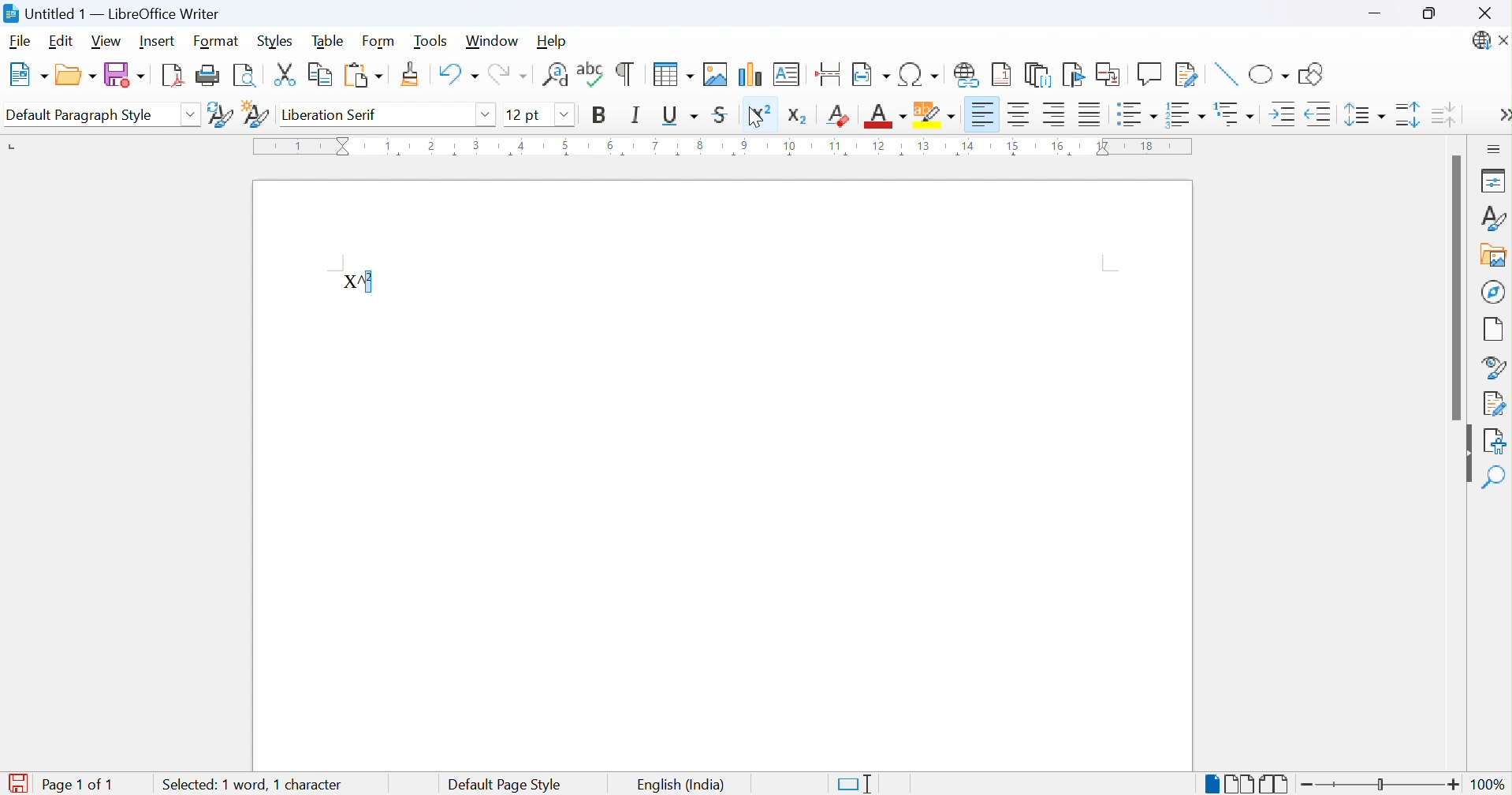  Describe the element at coordinates (108, 43) in the screenshot. I see `View` at that location.